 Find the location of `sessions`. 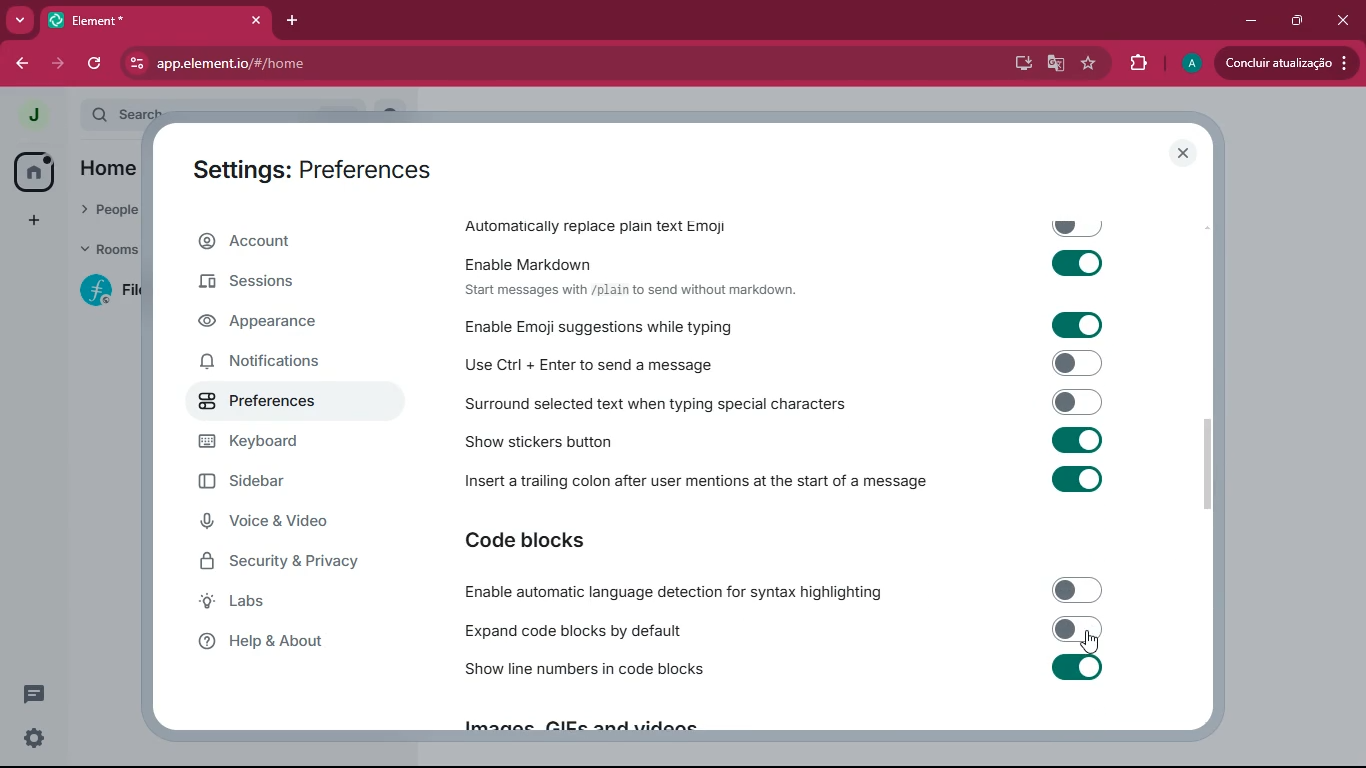

sessions is located at coordinates (283, 285).